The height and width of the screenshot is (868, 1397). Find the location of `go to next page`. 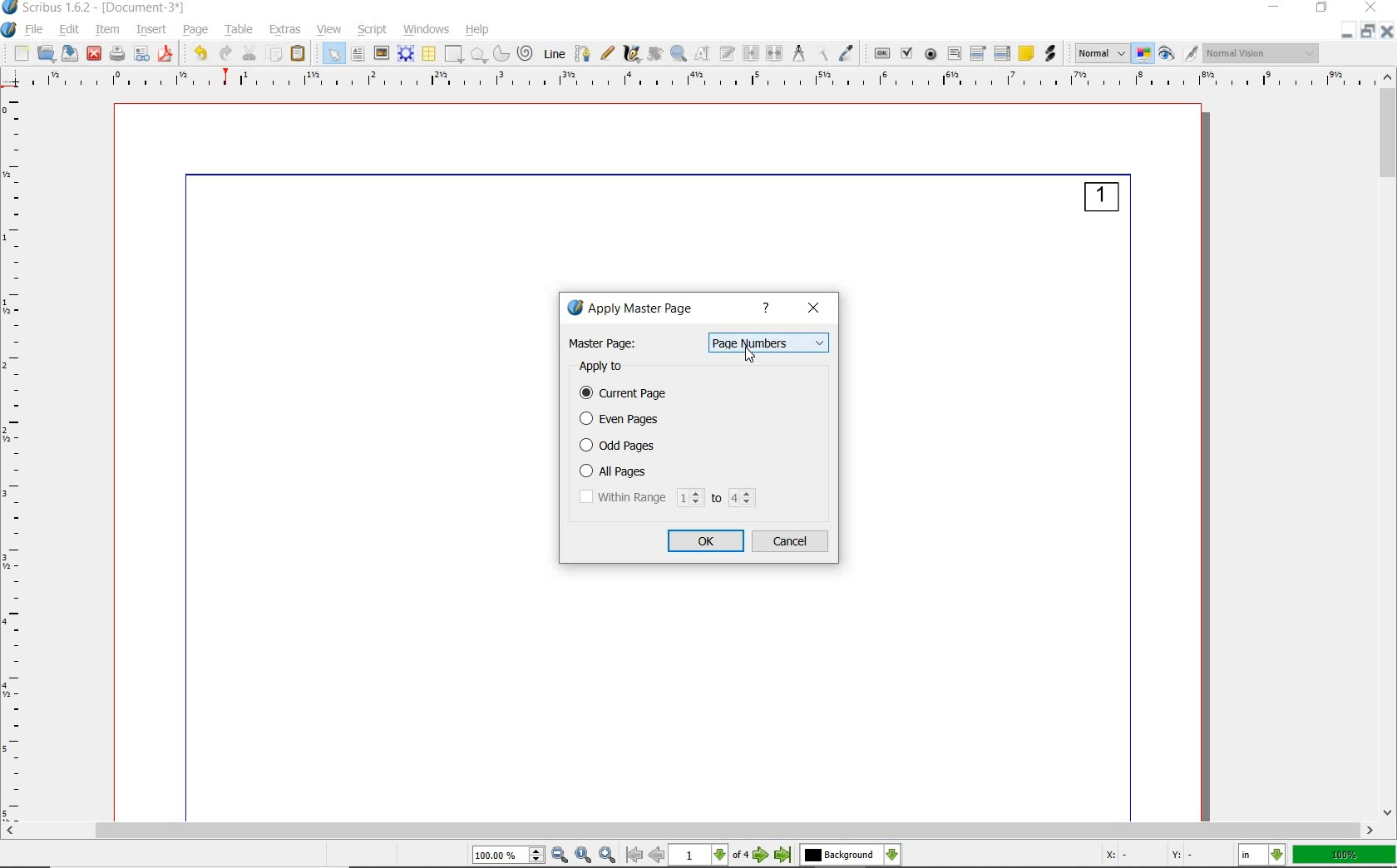

go to next page is located at coordinates (762, 856).